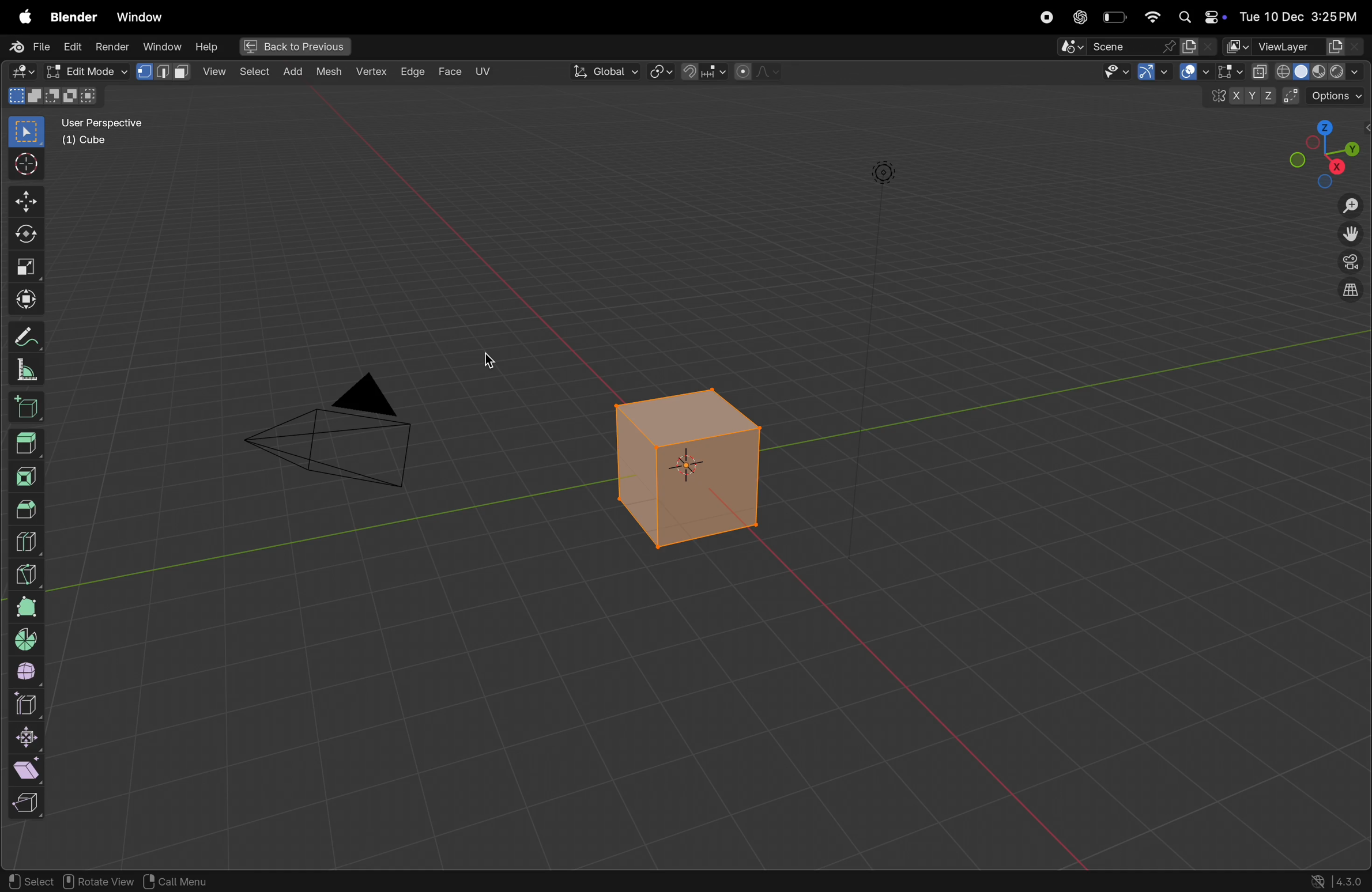 The image size is (1372, 892). Describe the element at coordinates (22, 300) in the screenshot. I see `transform` at that location.